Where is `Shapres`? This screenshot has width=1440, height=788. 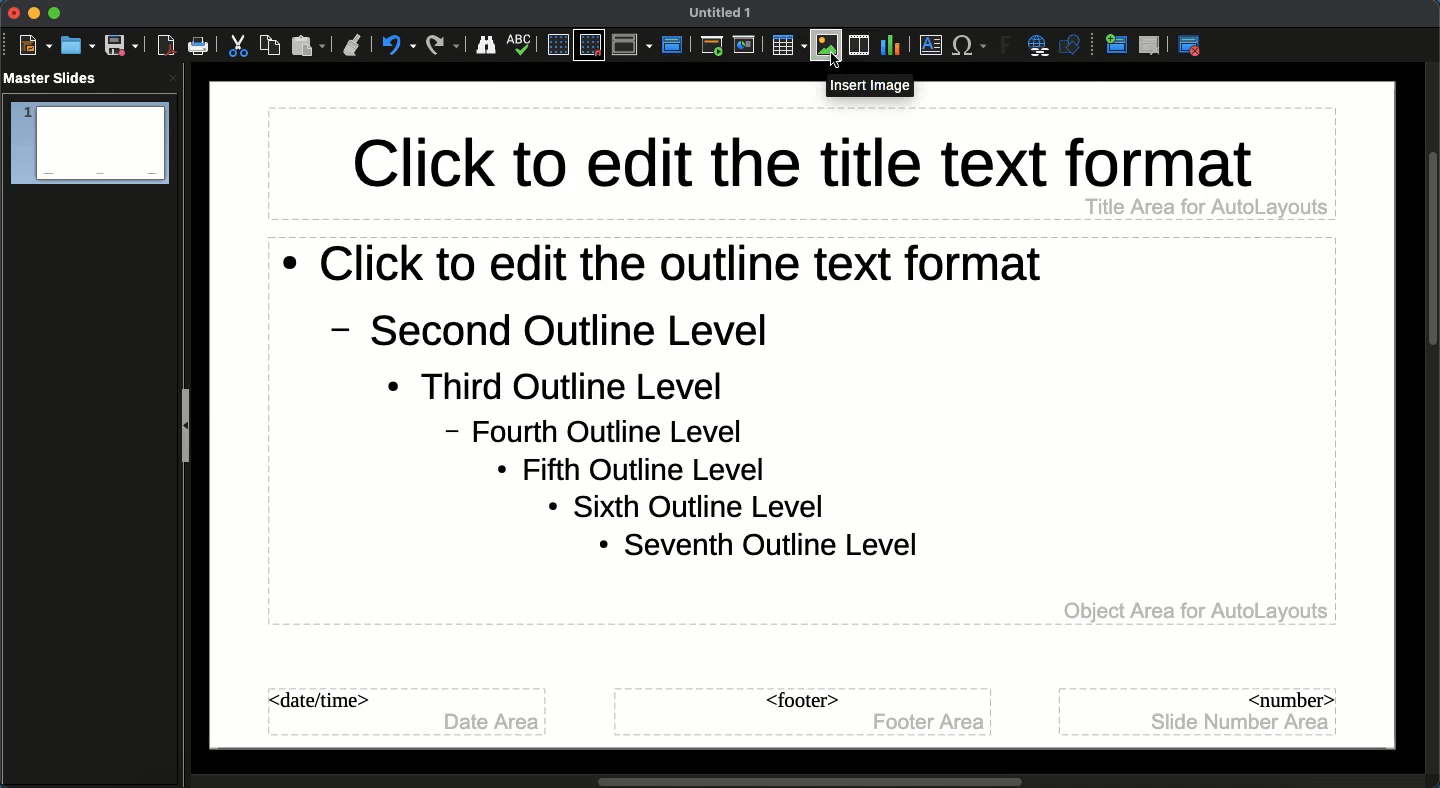 Shapres is located at coordinates (1074, 45).